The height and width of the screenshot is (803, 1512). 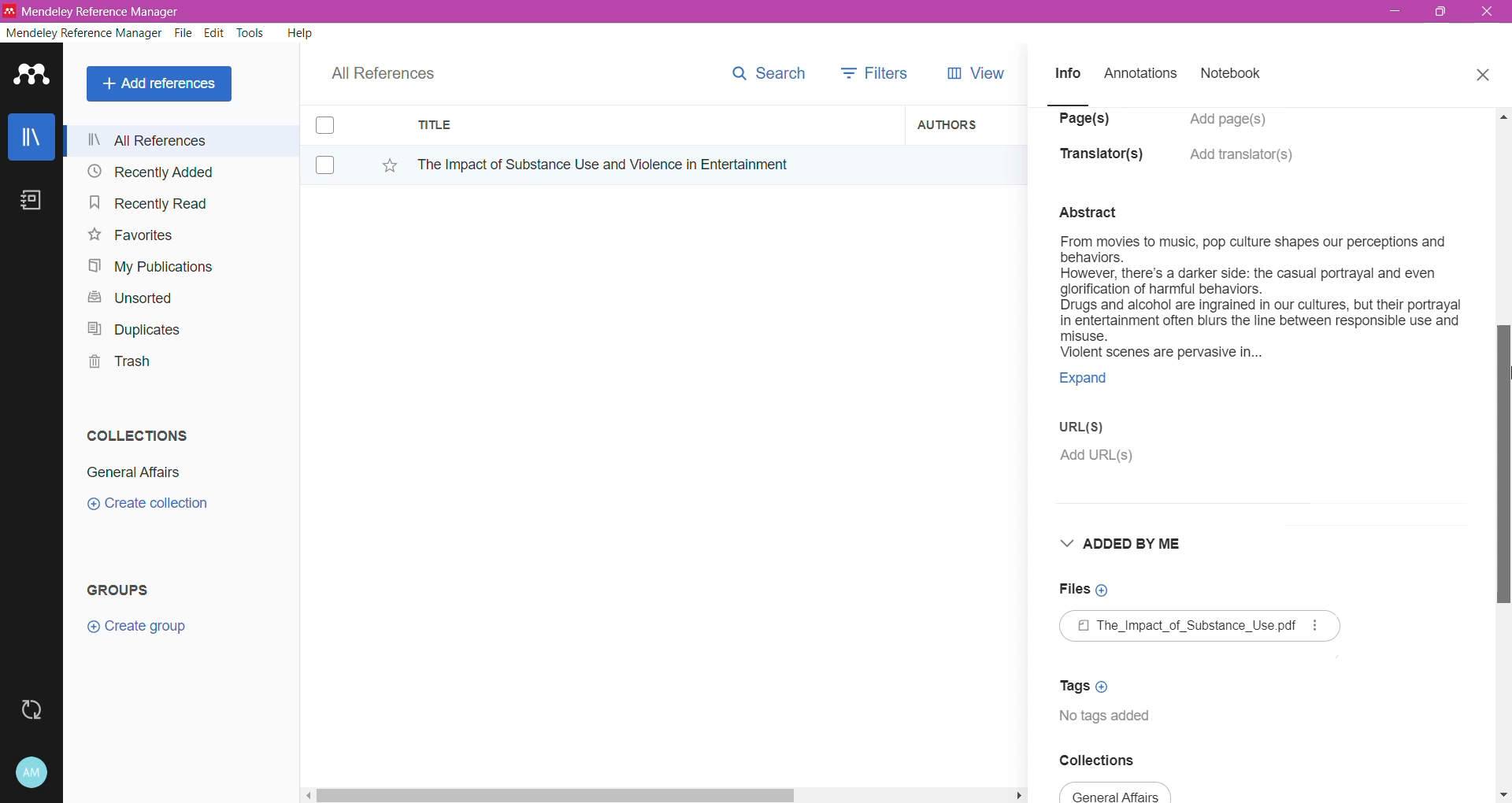 What do you see at coordinates (381, 162) in the screenshot?
I see `Click to Add to Favorites` at bounding box center [381, 162].